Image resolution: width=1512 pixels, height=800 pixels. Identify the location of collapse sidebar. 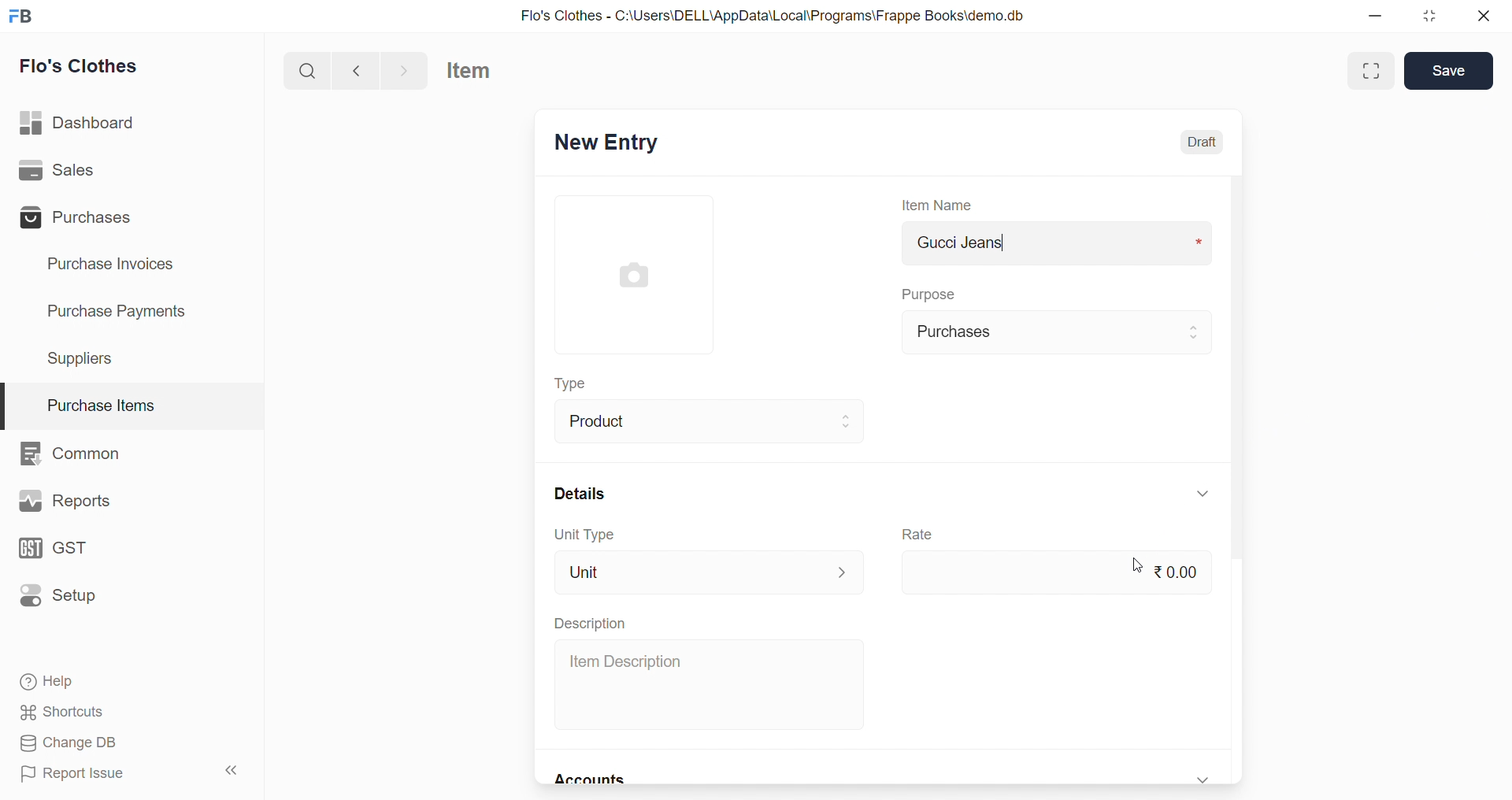
(238, 772).